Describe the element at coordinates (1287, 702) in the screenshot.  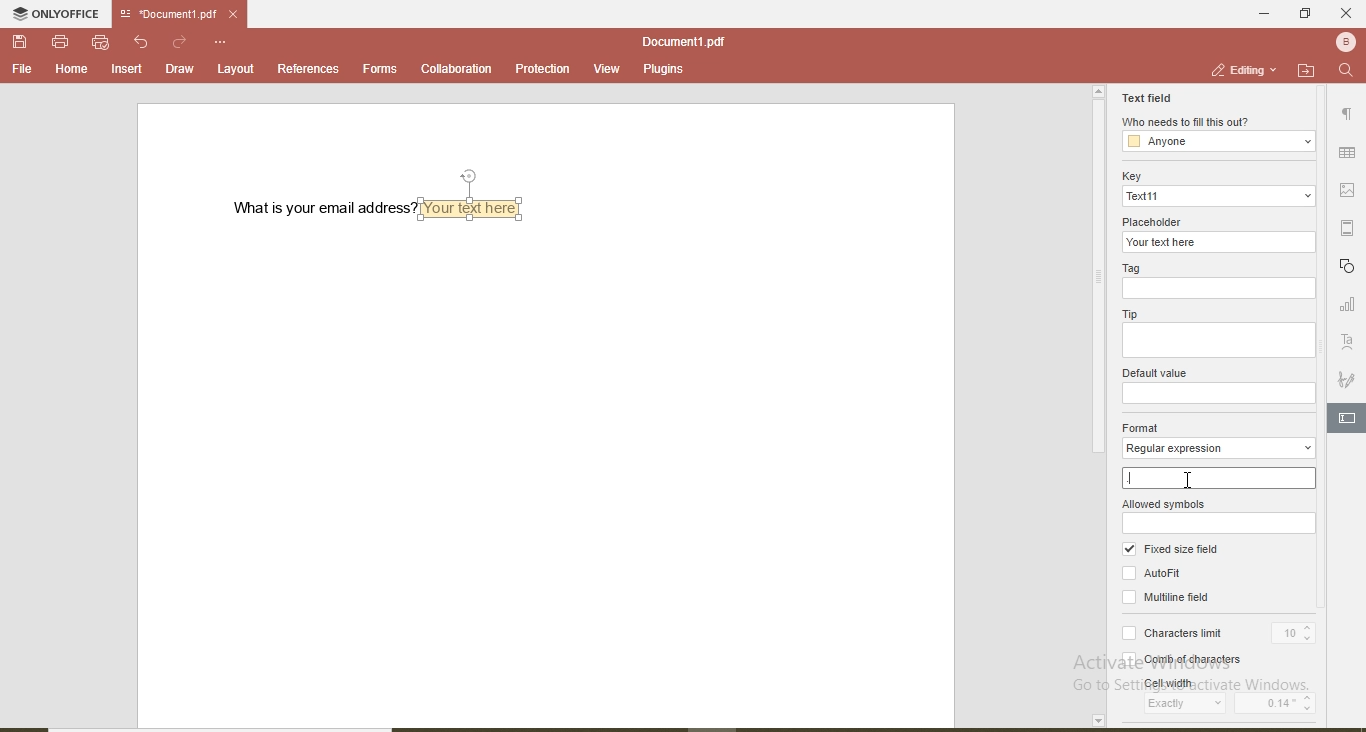
I see `0.14` at that location.